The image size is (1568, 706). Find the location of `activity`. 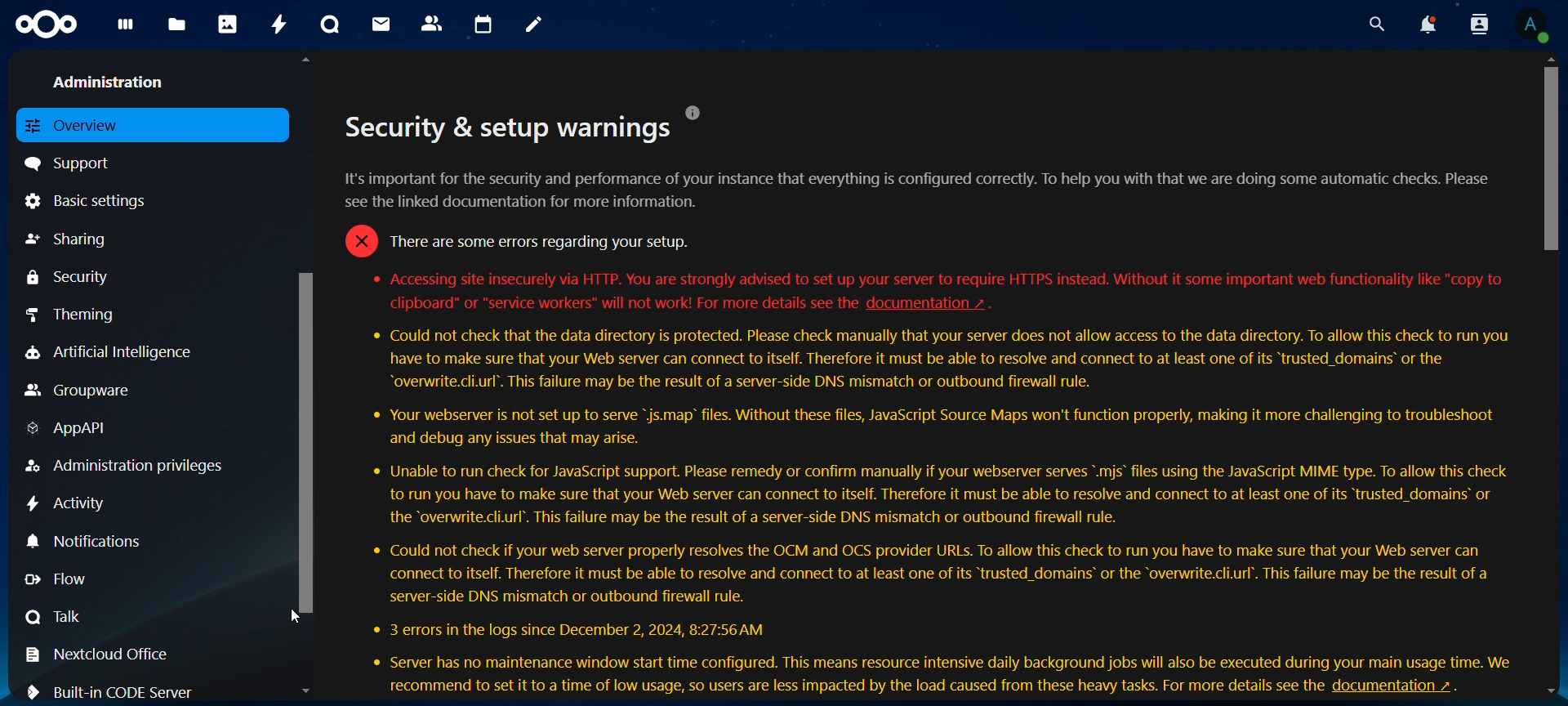

activity is located at coordinates (69, 504).